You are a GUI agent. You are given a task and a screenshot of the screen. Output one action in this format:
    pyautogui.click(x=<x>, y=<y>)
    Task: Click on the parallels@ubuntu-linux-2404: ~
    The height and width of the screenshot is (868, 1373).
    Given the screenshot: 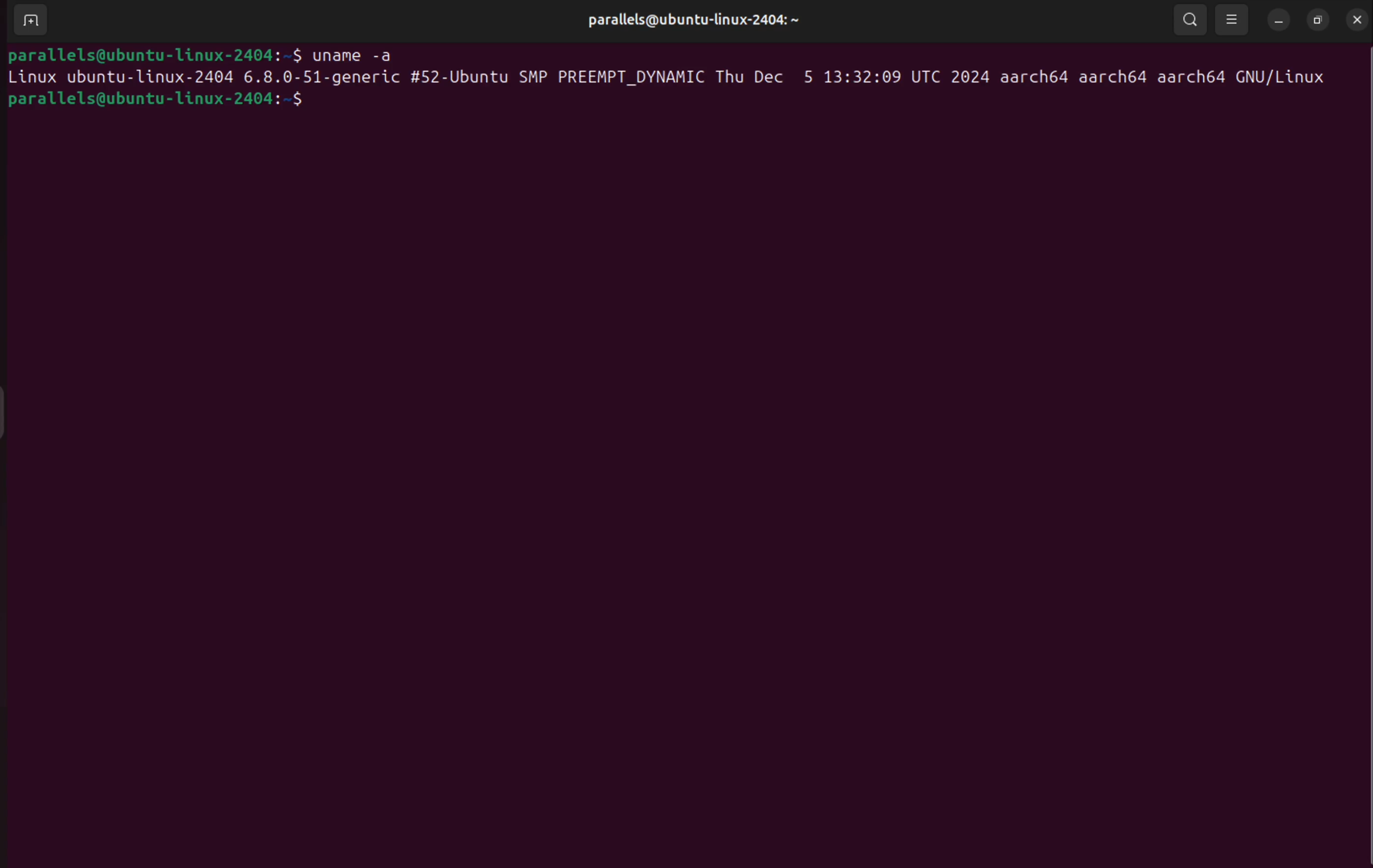 What is the action you would take?
    pyautogui.click(x=694, y=18)
    